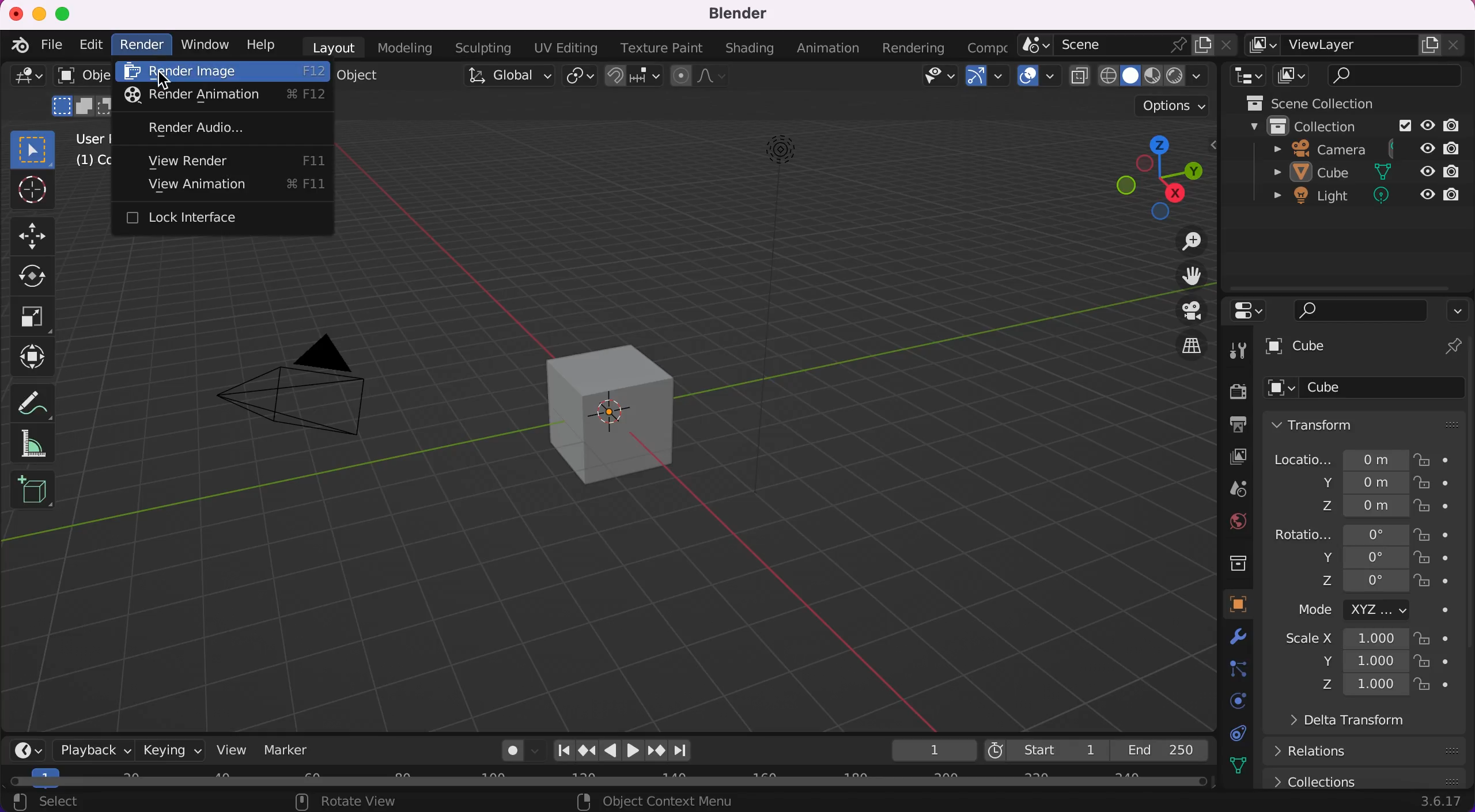  What do you see at coordinates (1338, 533) in the screenshot?
I see `rotatio... 0` at bounding box center [1338, 533].